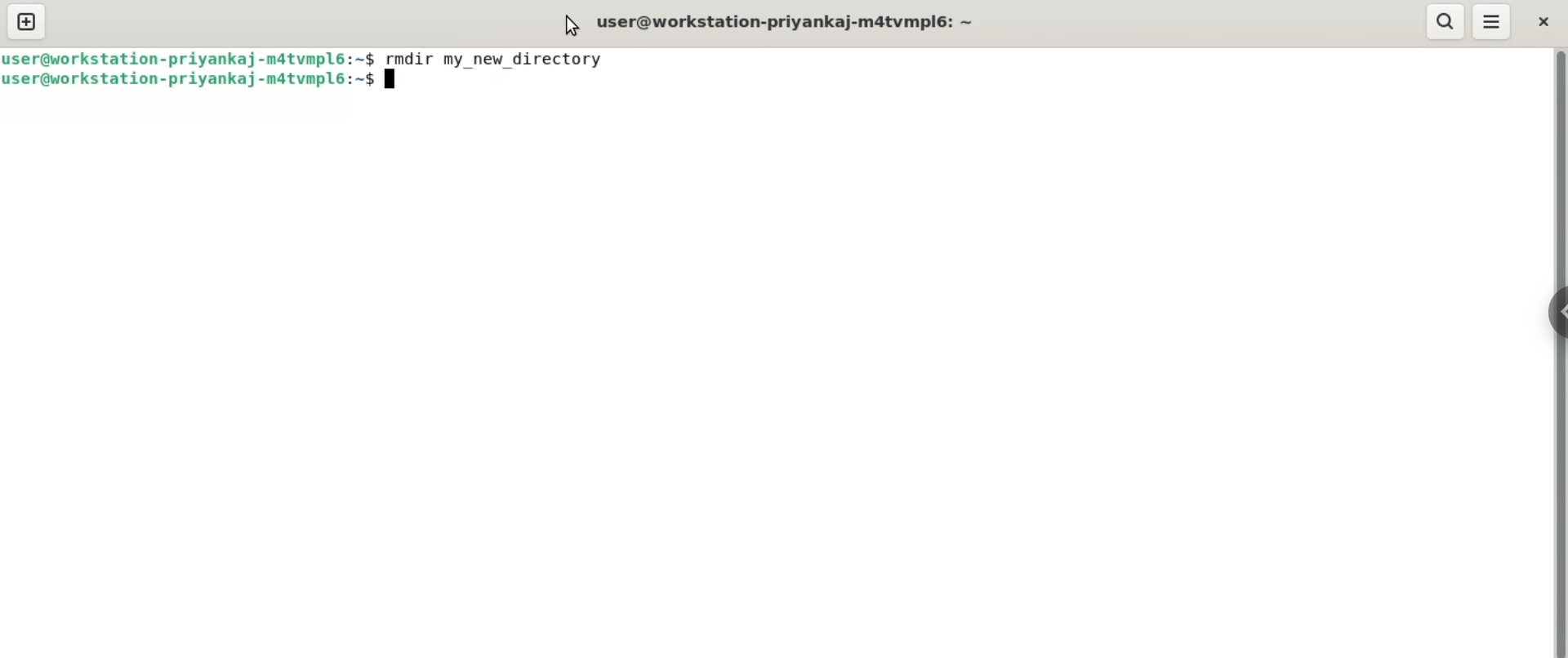  I want to click on rmdir my_new_directory, so click(496, 57).